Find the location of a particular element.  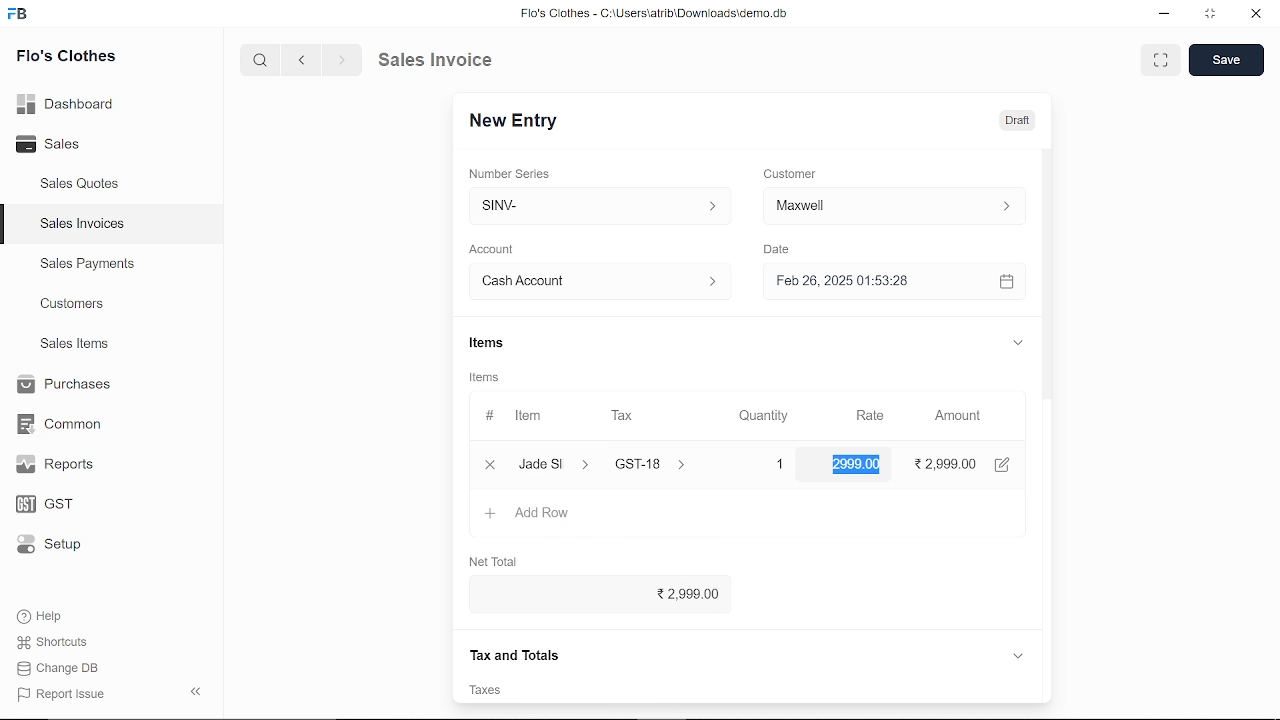

2,999.00 is located at coordinates (594, 595).